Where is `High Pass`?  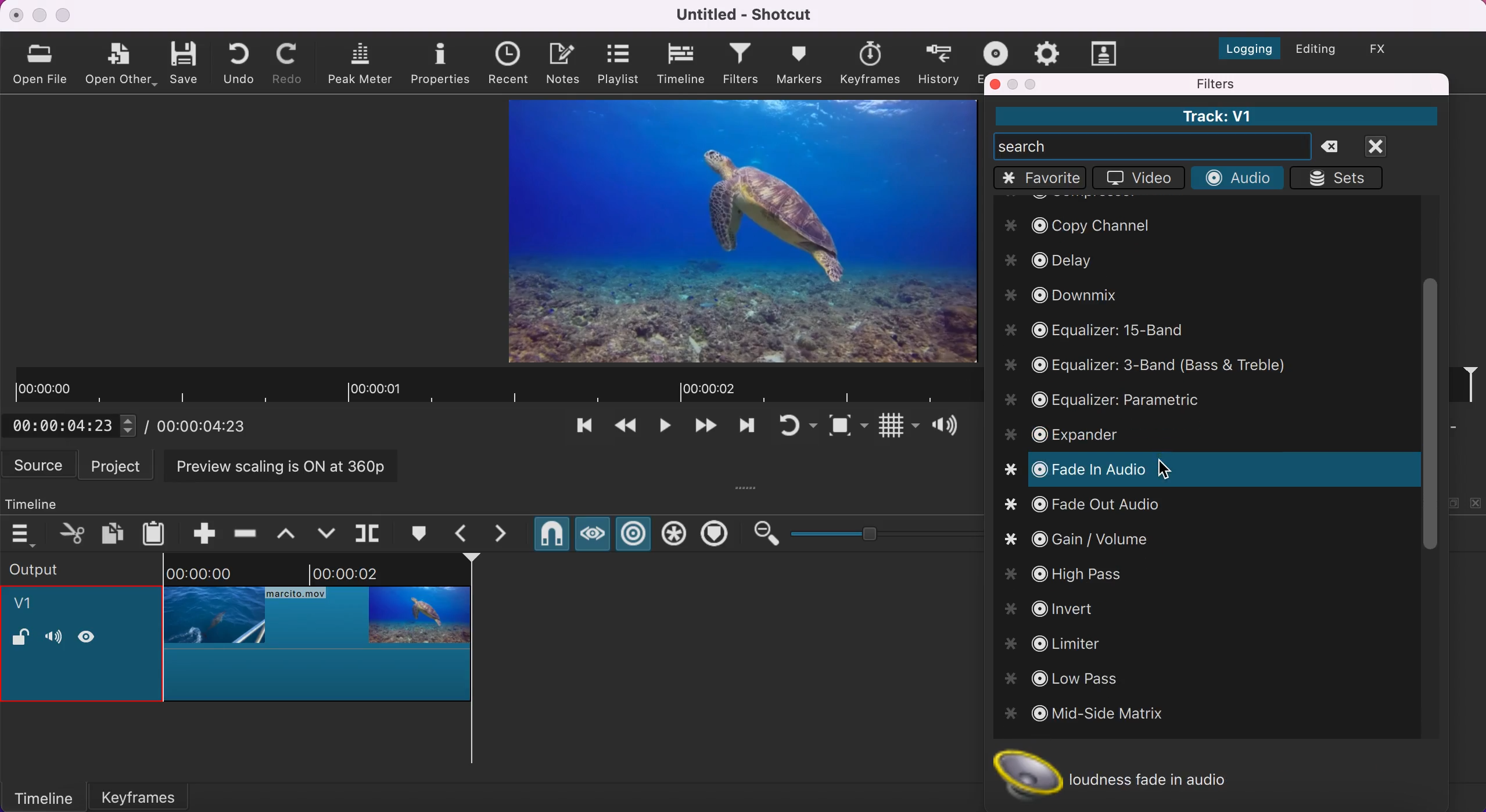
High Pass is located at coordinates (1071, 572).